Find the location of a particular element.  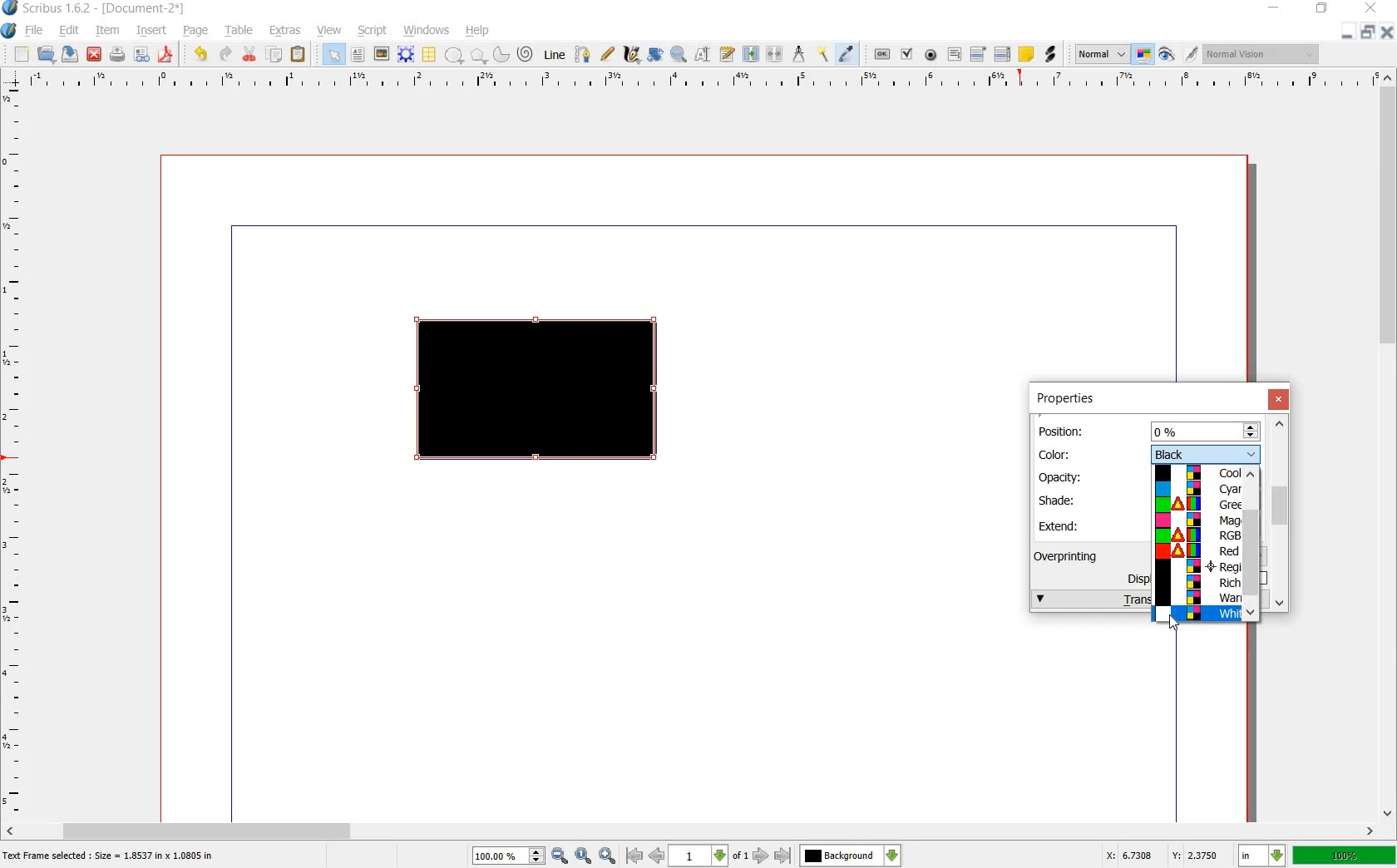

eye dropper is located at coordinates (847, 55).